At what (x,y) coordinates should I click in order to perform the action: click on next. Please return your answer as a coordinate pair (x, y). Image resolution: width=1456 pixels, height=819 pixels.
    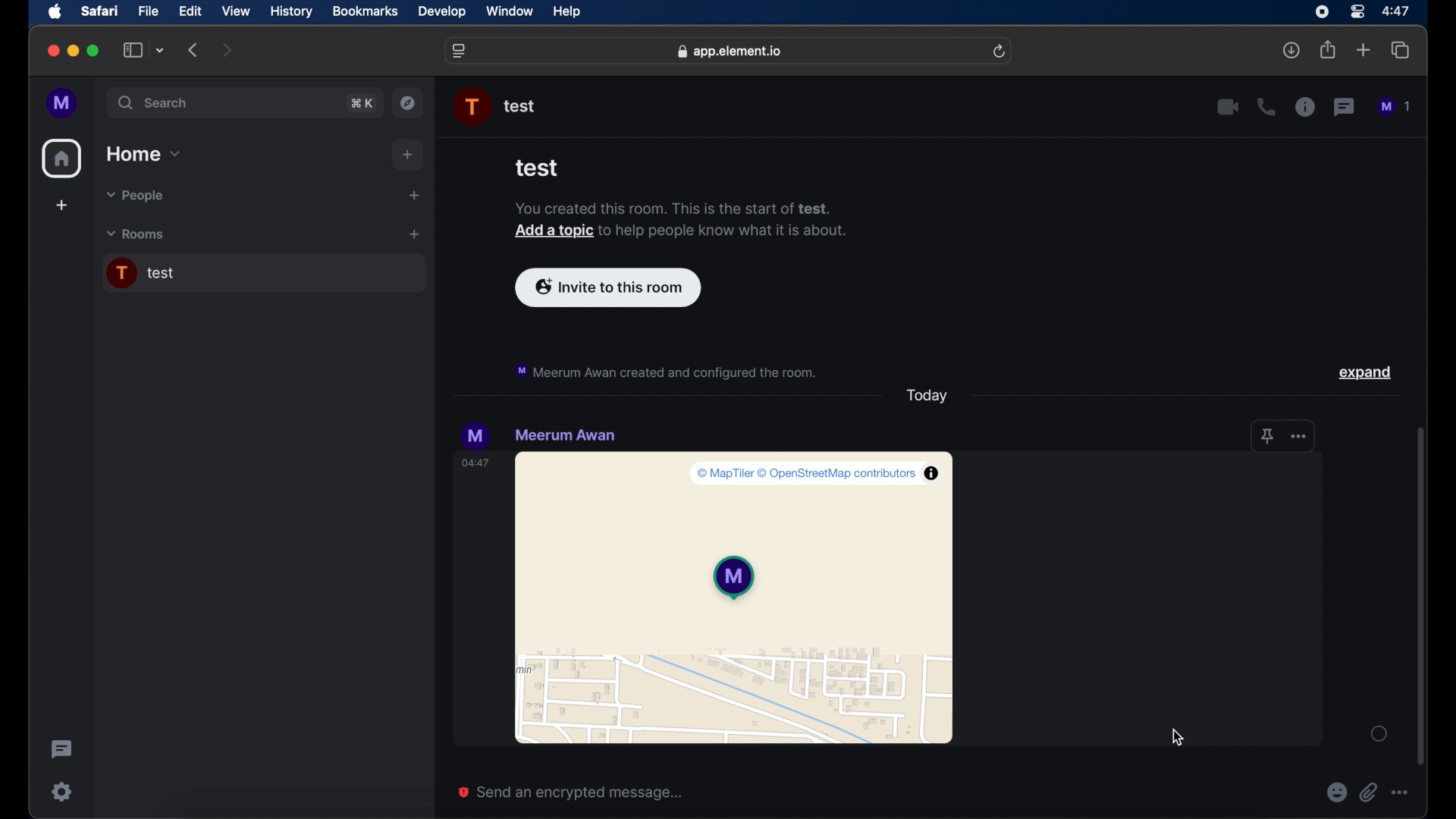
    Looking at the image, I should click on (227, 49).